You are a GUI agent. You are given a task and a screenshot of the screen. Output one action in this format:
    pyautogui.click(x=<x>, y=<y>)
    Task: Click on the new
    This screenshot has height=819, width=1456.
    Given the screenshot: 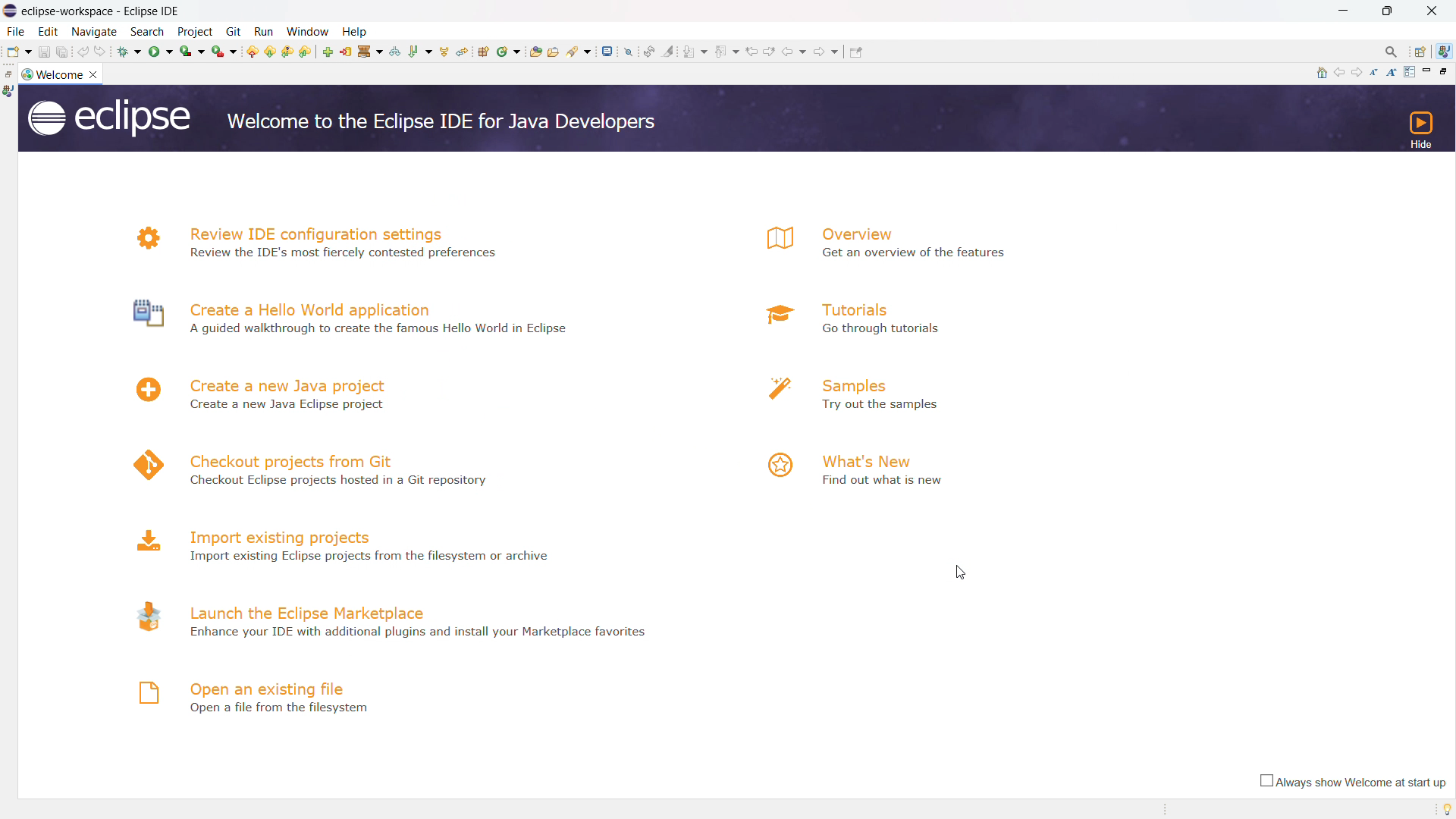 What is the action you would take?
    pyautogui.click(x=18, y=52)
    